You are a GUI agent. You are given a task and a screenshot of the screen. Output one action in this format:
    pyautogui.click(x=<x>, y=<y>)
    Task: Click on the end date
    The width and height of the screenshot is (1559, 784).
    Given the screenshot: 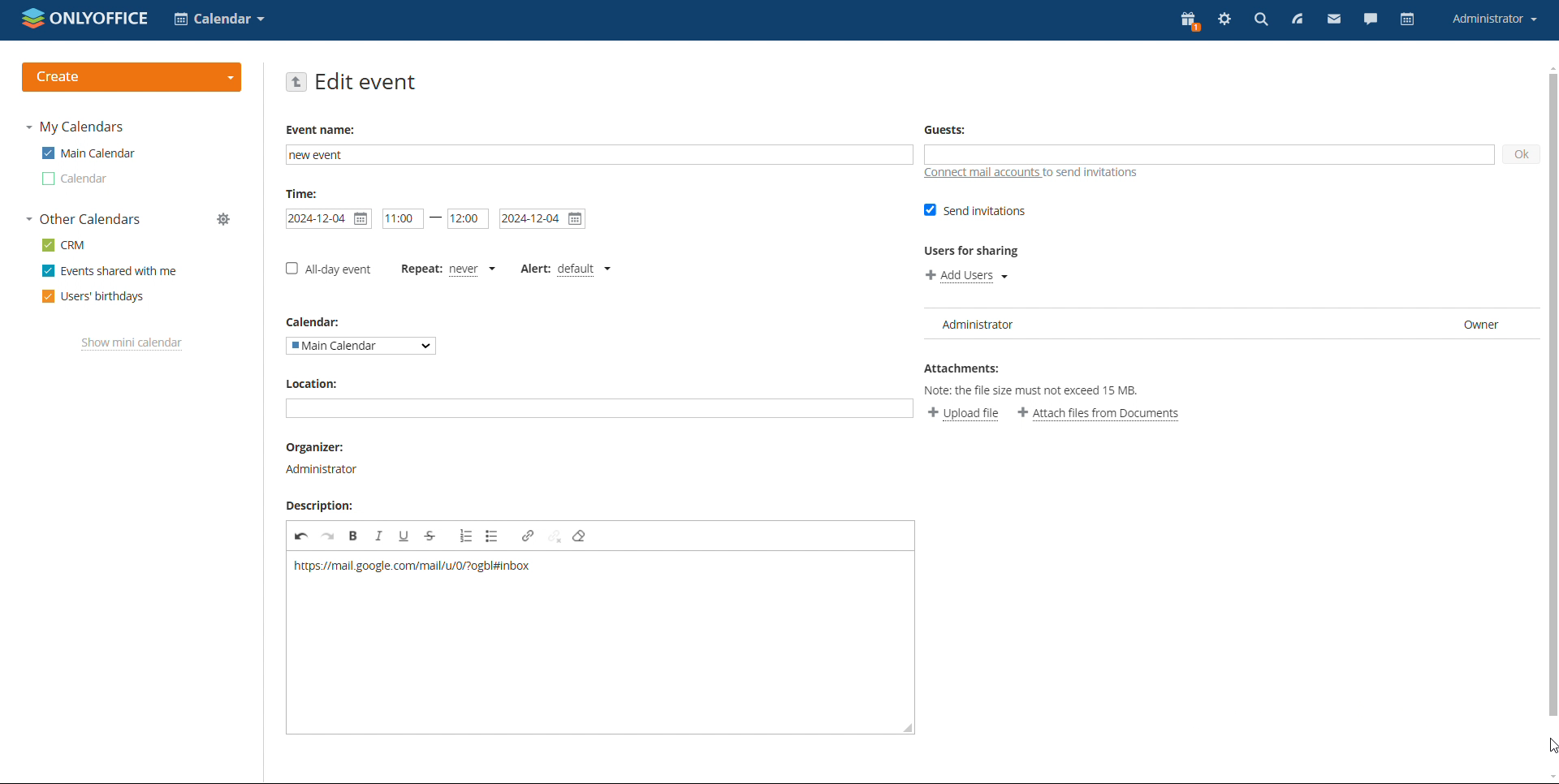 What is the action you would take?
    pyautogui.click(x=543, y=219)
    